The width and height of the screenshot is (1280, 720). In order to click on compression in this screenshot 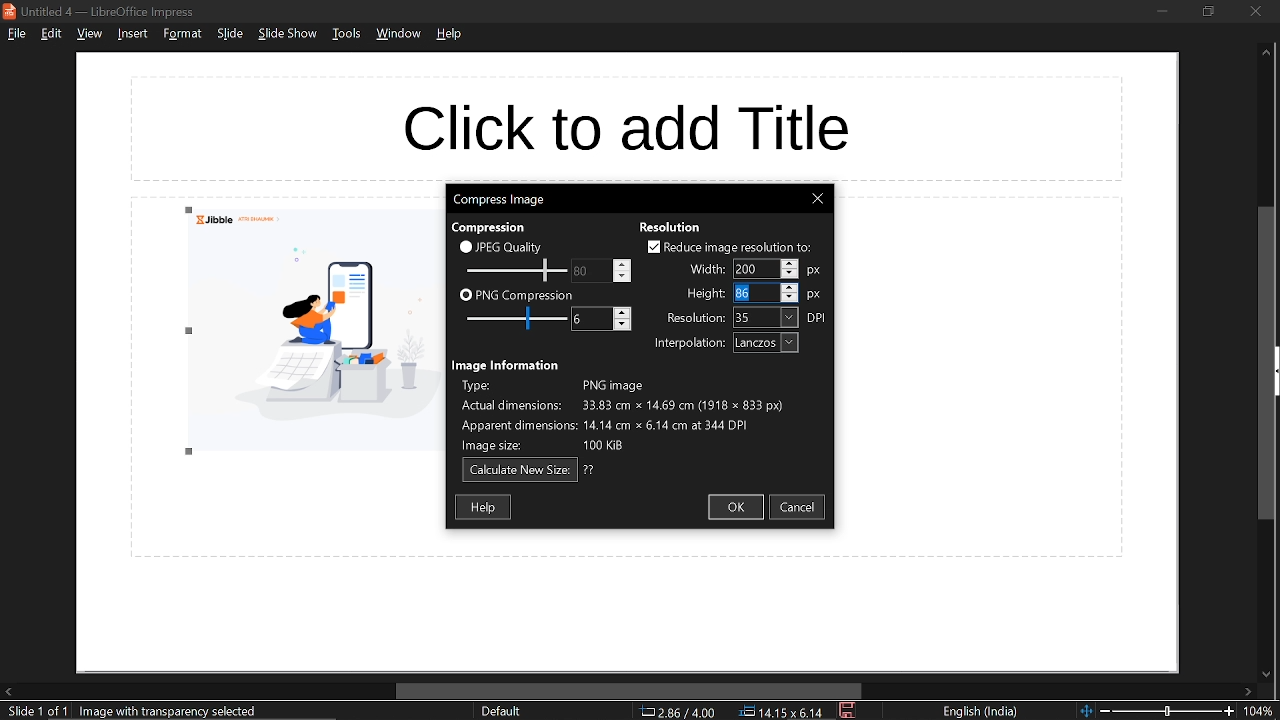, I will do `click(487, 228)`.